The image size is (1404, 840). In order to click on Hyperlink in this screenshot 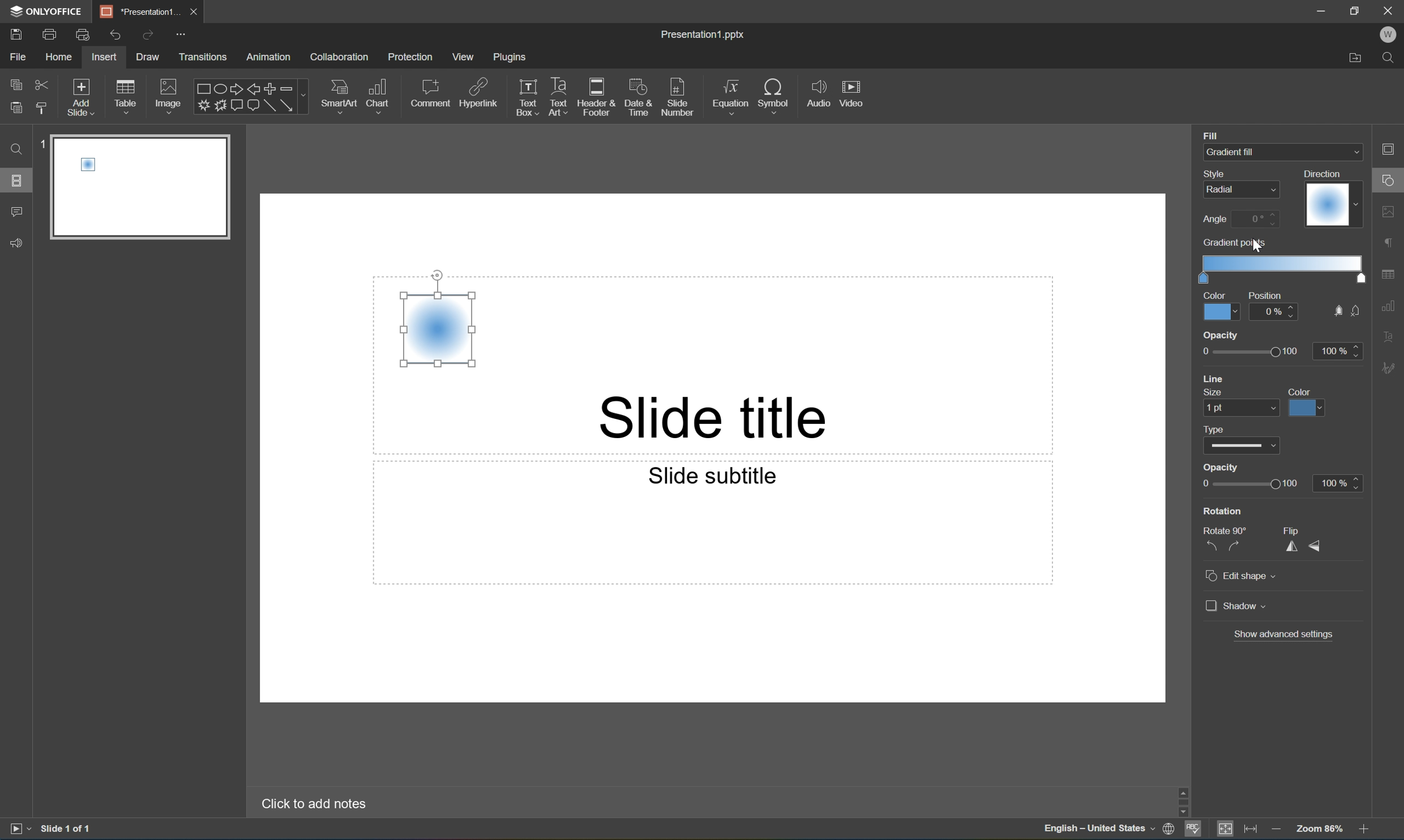, I will do `click(479, 91)`.